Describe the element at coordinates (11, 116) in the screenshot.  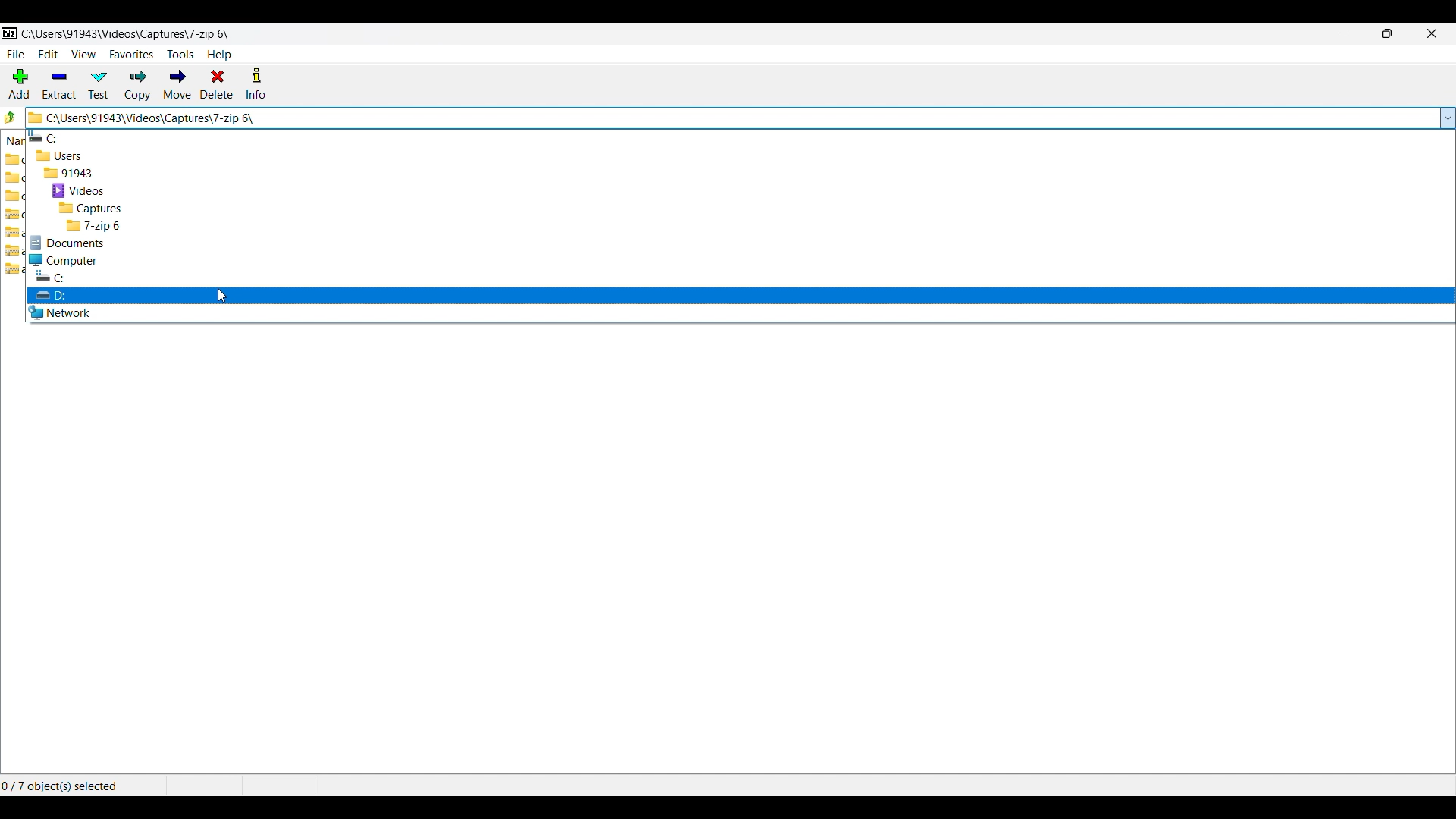
I see `go to previous folder` at that location.